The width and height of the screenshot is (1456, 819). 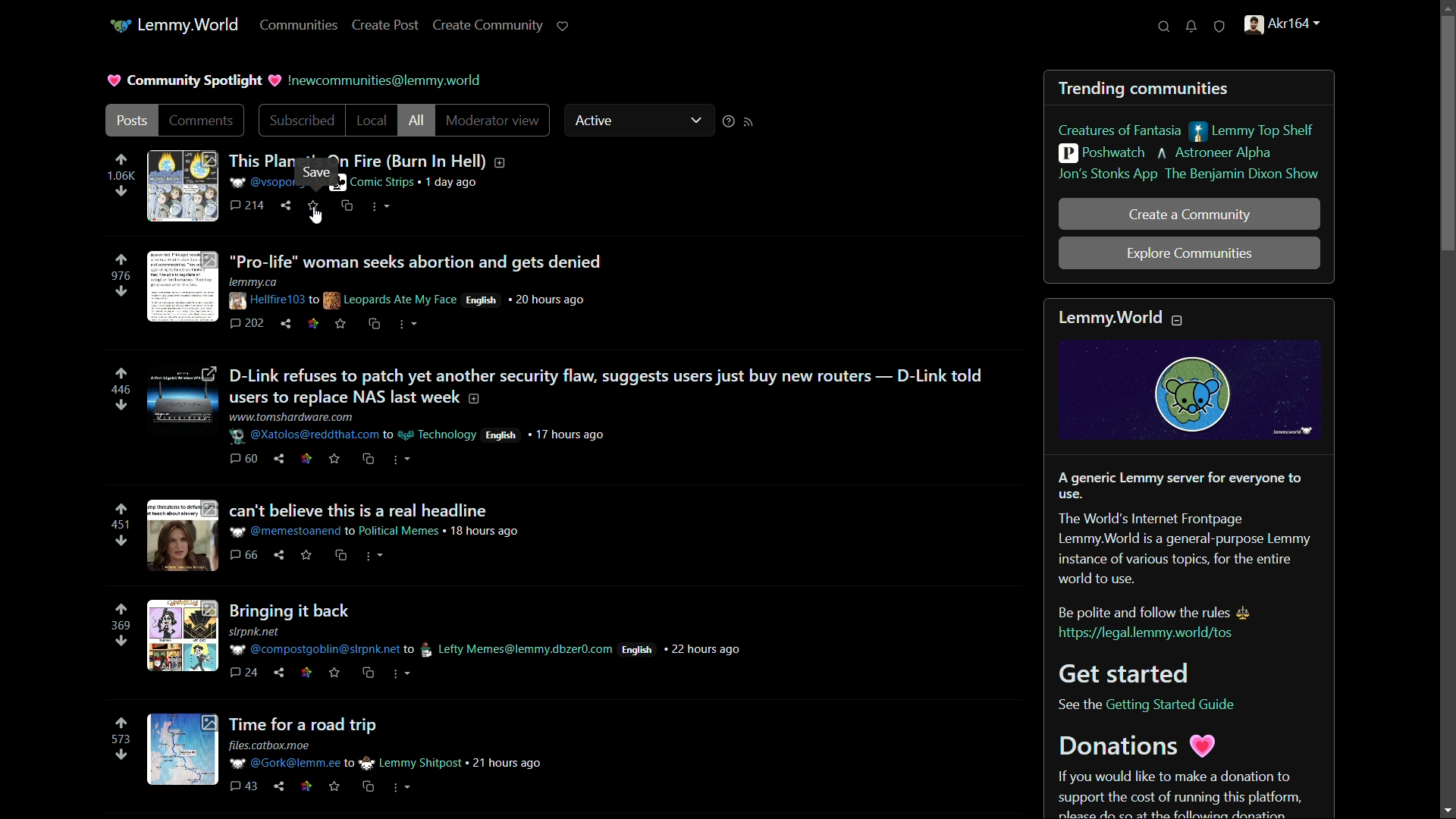 I want to click on posts, so click(x=131, y=120).